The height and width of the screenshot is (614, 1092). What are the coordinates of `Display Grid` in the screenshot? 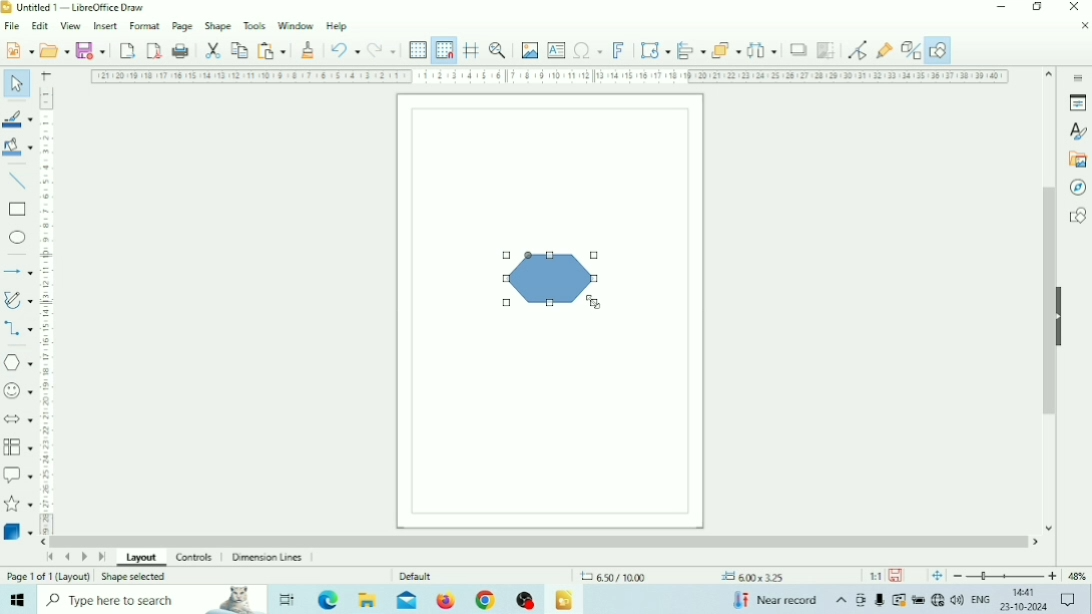 It's located at (418, 51).